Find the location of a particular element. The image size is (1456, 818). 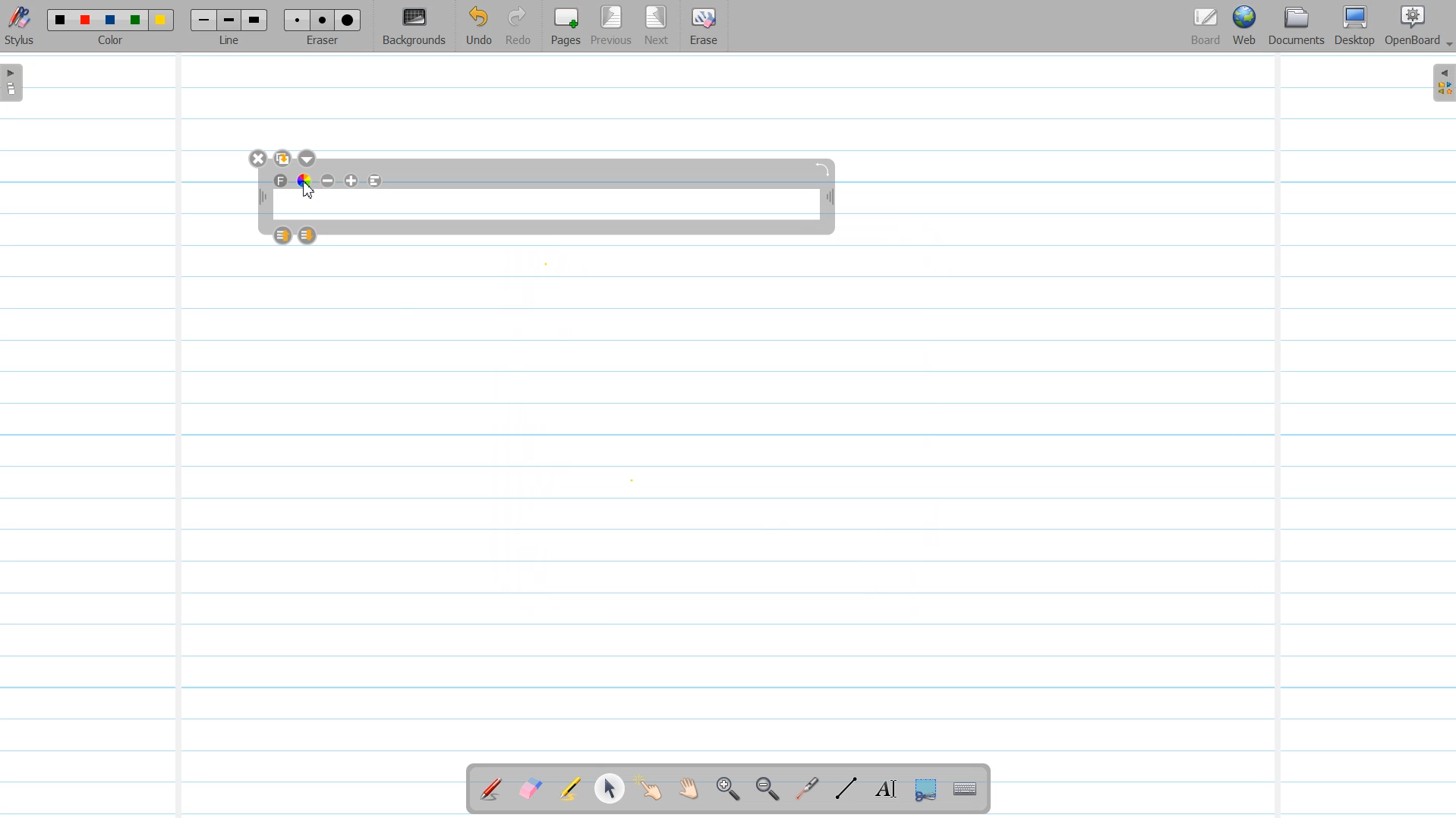

Zoom Out is located at coordinates (764, 790).